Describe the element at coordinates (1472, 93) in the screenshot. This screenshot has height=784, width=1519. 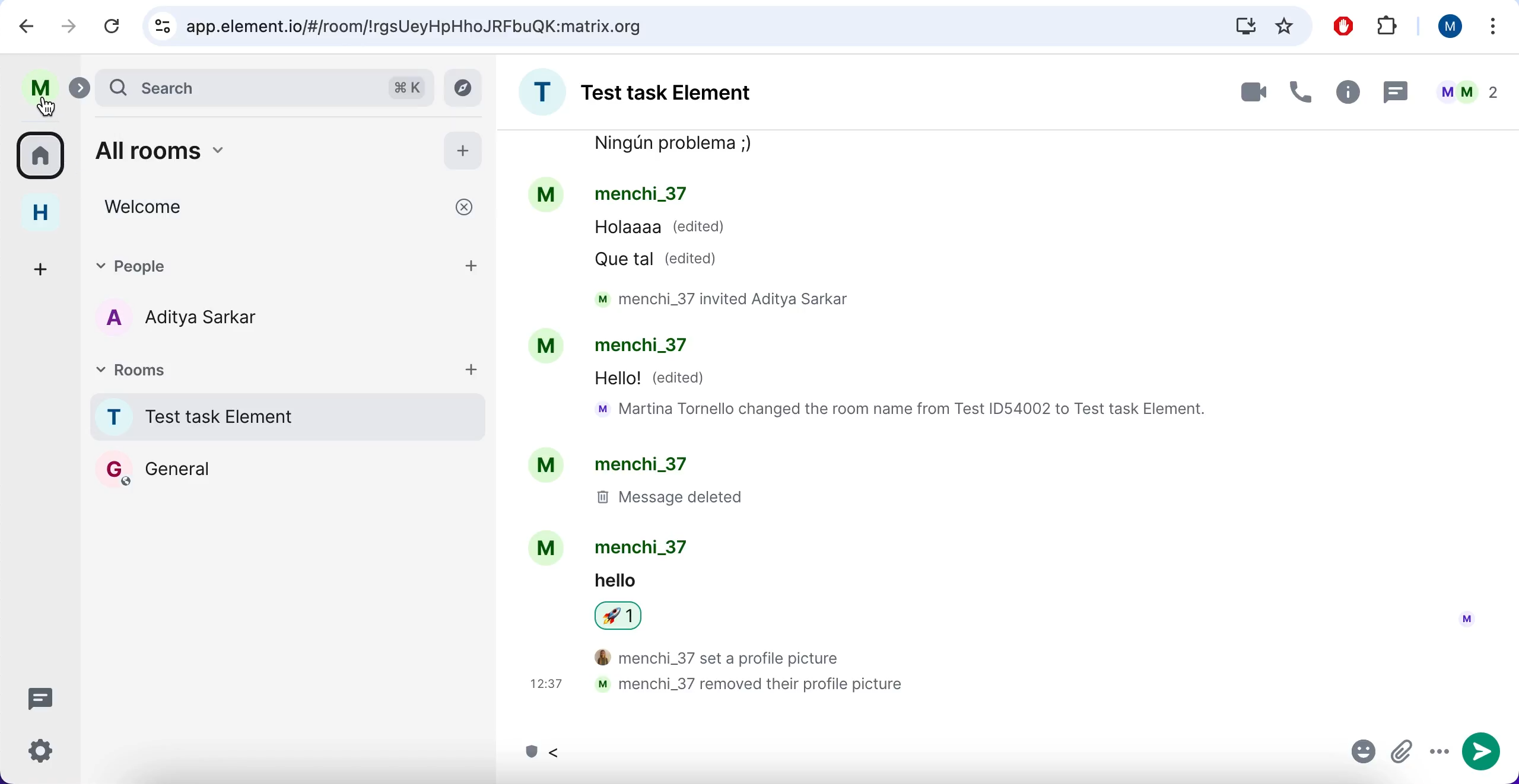
I see `` at that location.